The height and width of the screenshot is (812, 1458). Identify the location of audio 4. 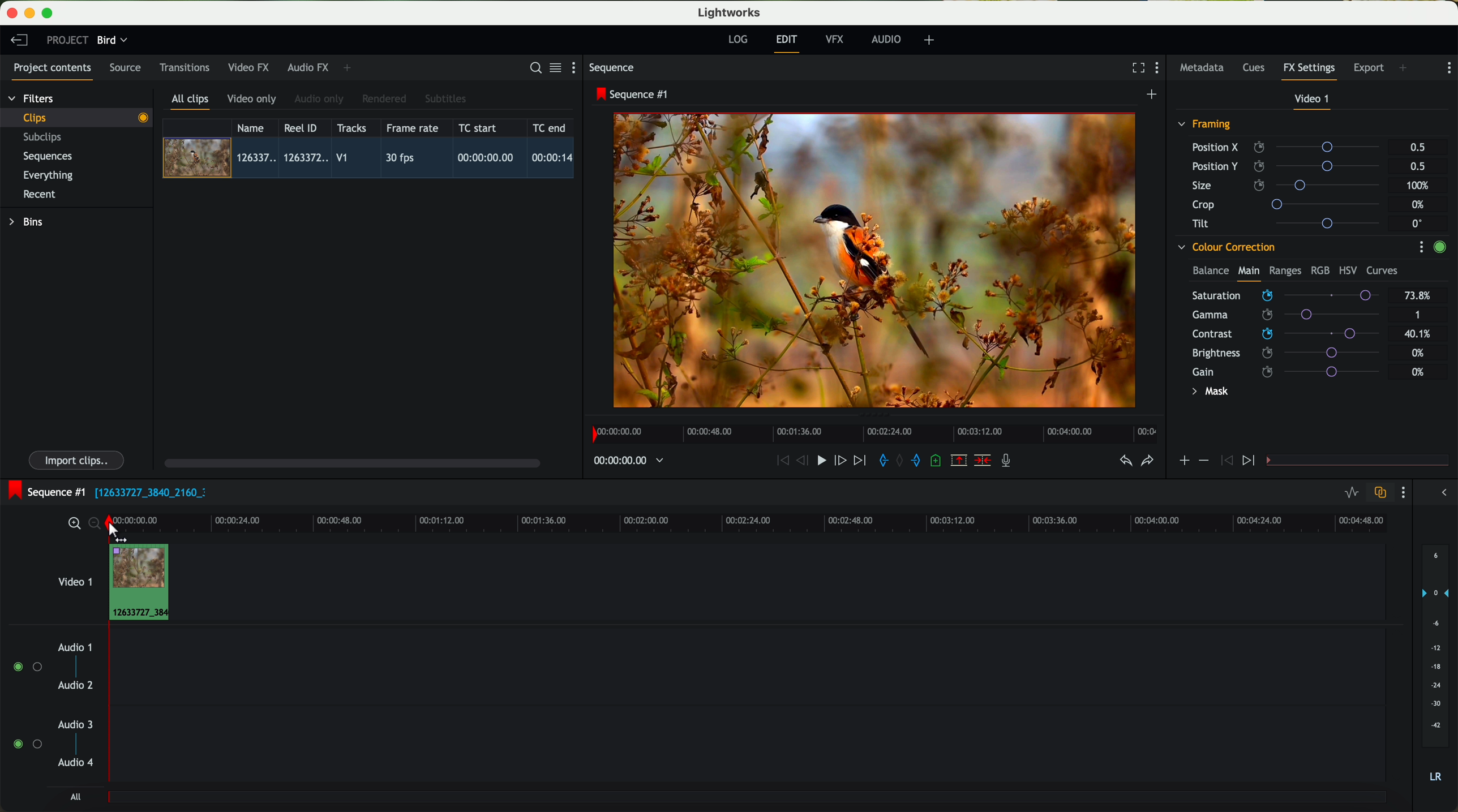
(76, 763).